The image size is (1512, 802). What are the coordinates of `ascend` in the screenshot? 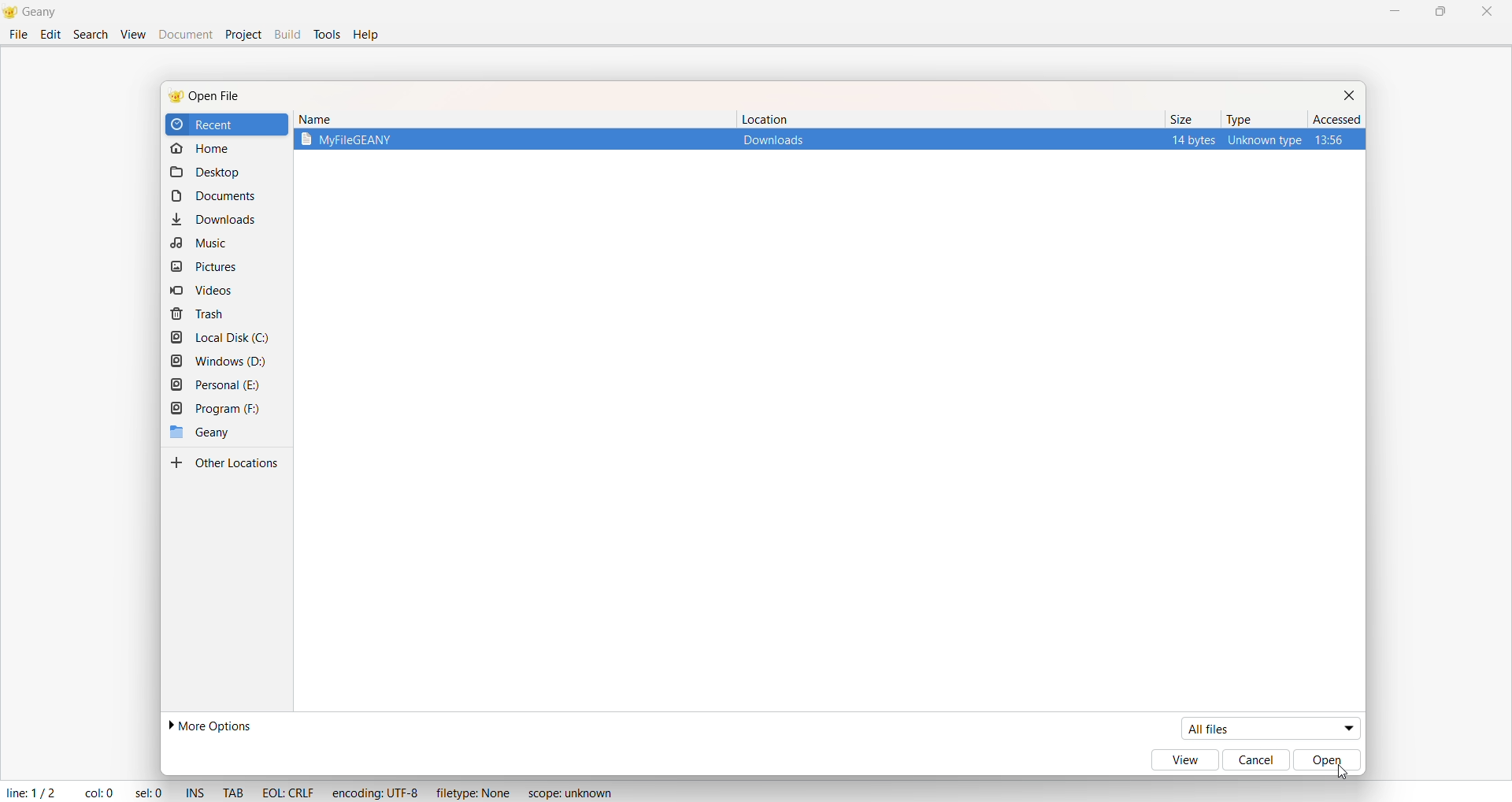 It's located at (1332, 119).